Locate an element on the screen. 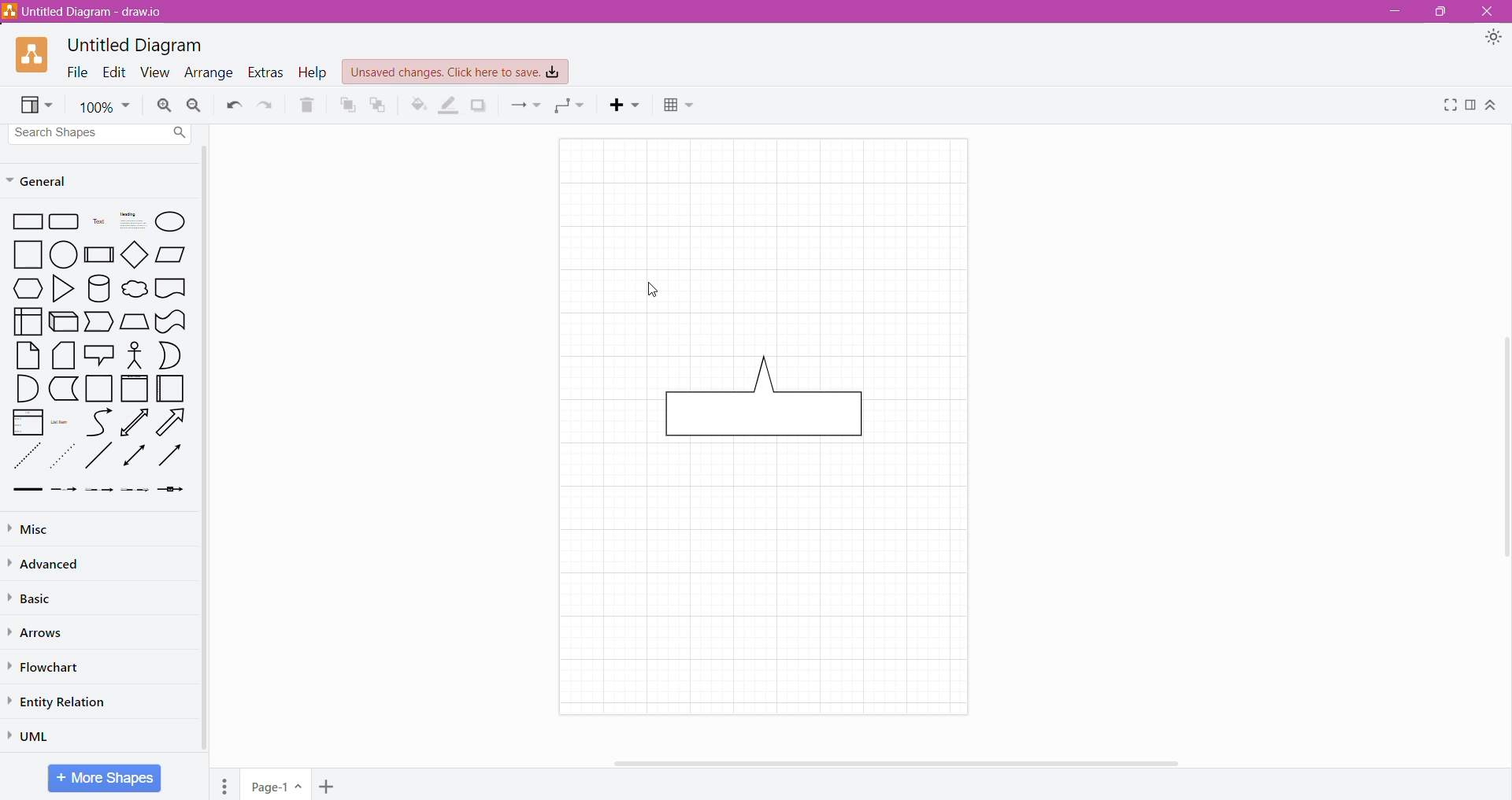 This screenshot has height=800, width=1512. Help is located at coordinates (313, 72).